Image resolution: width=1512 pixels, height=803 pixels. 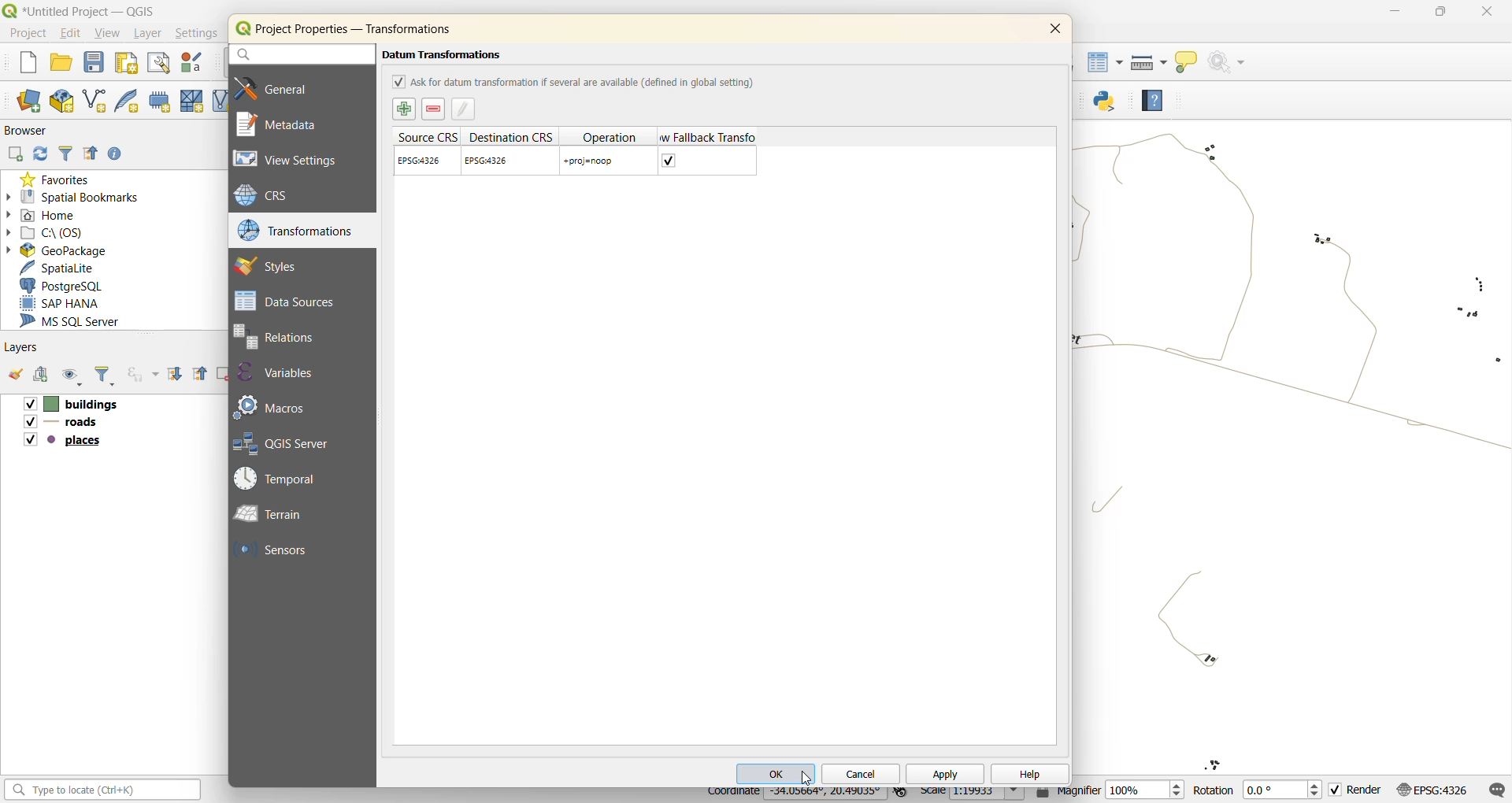 I want to click on manage map, so click(x=72, y=376).